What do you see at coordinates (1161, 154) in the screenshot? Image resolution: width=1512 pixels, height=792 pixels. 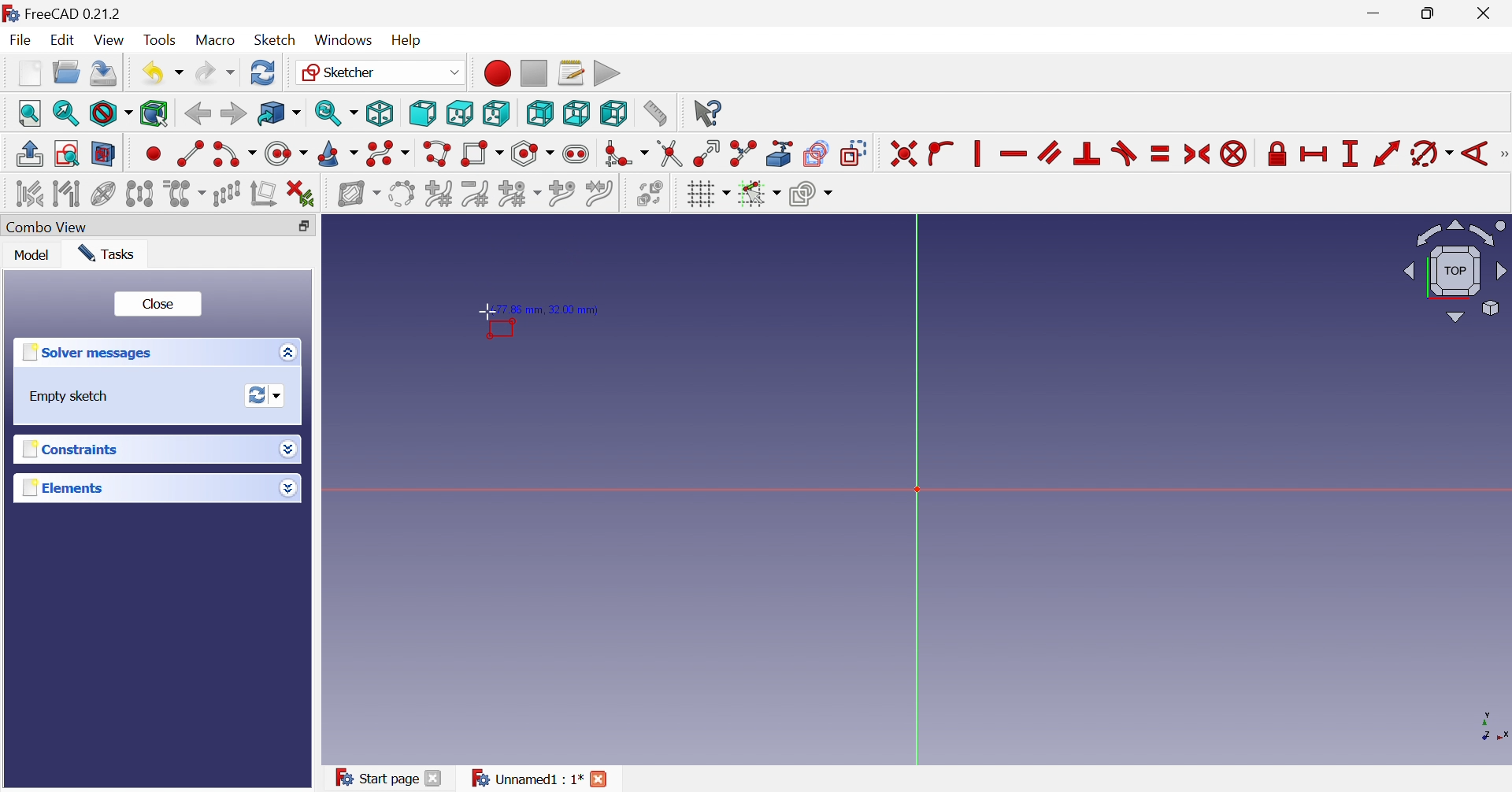 I see `Constrain equal` at bounding box center [1161, 154].